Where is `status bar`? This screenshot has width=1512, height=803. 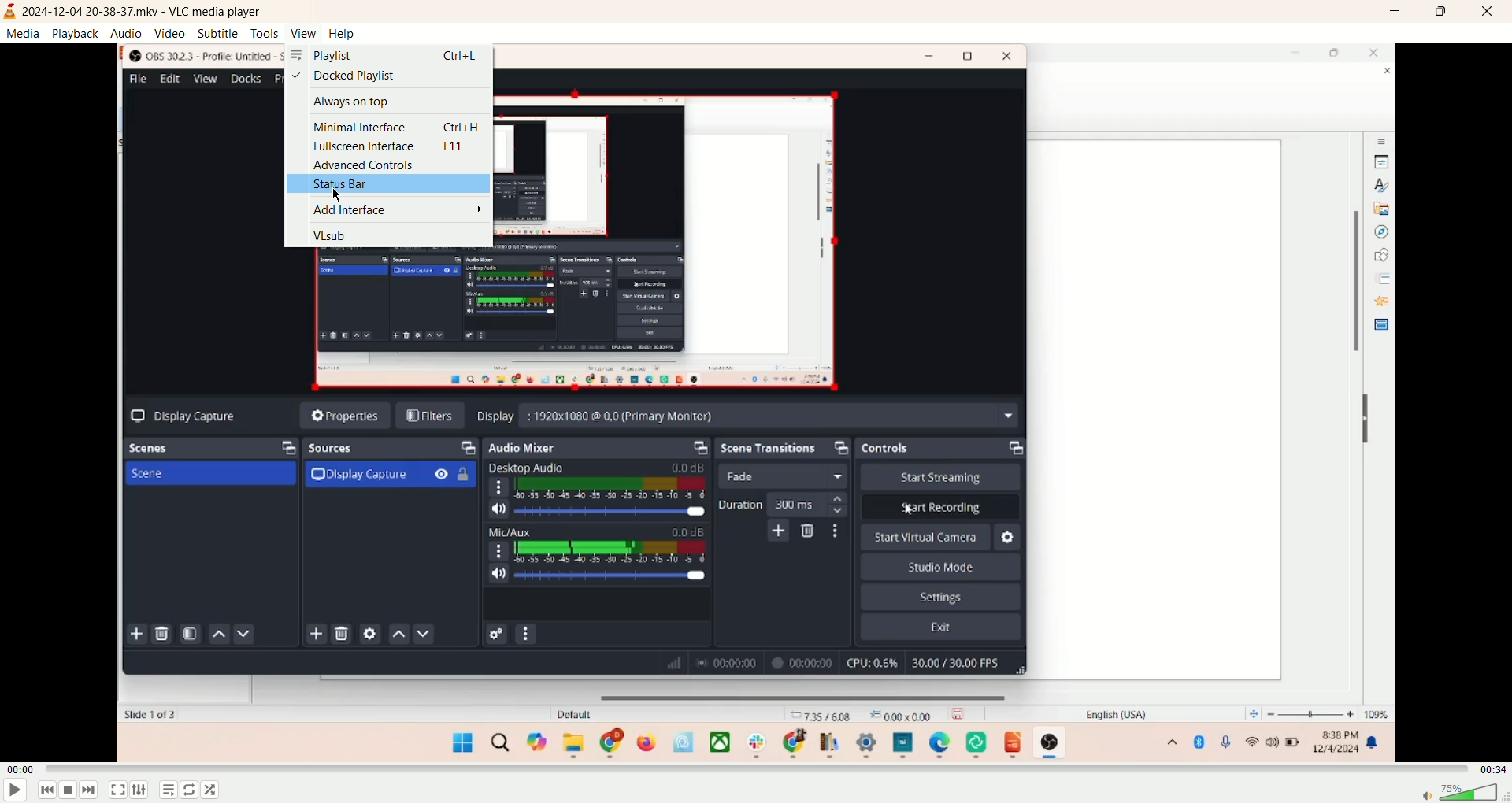 status bar is located at coordinates (387, 185).